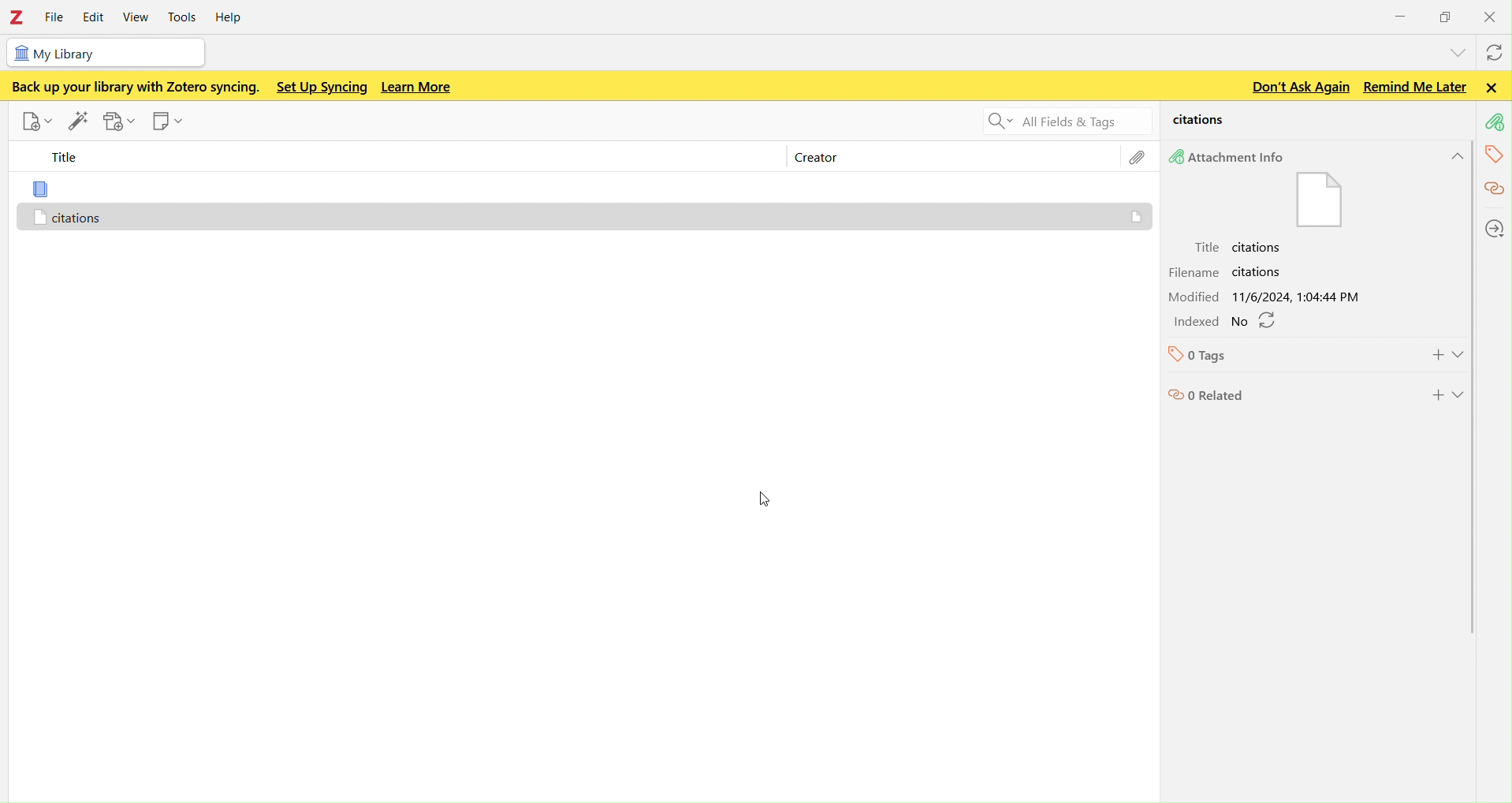 Image resolution: width=1512 pixels, height=803 pixels. What do you see at coordinates (1063, 121) in the screenshot?
I see `Search all fields and tags` at bounding box center [1063, 121].